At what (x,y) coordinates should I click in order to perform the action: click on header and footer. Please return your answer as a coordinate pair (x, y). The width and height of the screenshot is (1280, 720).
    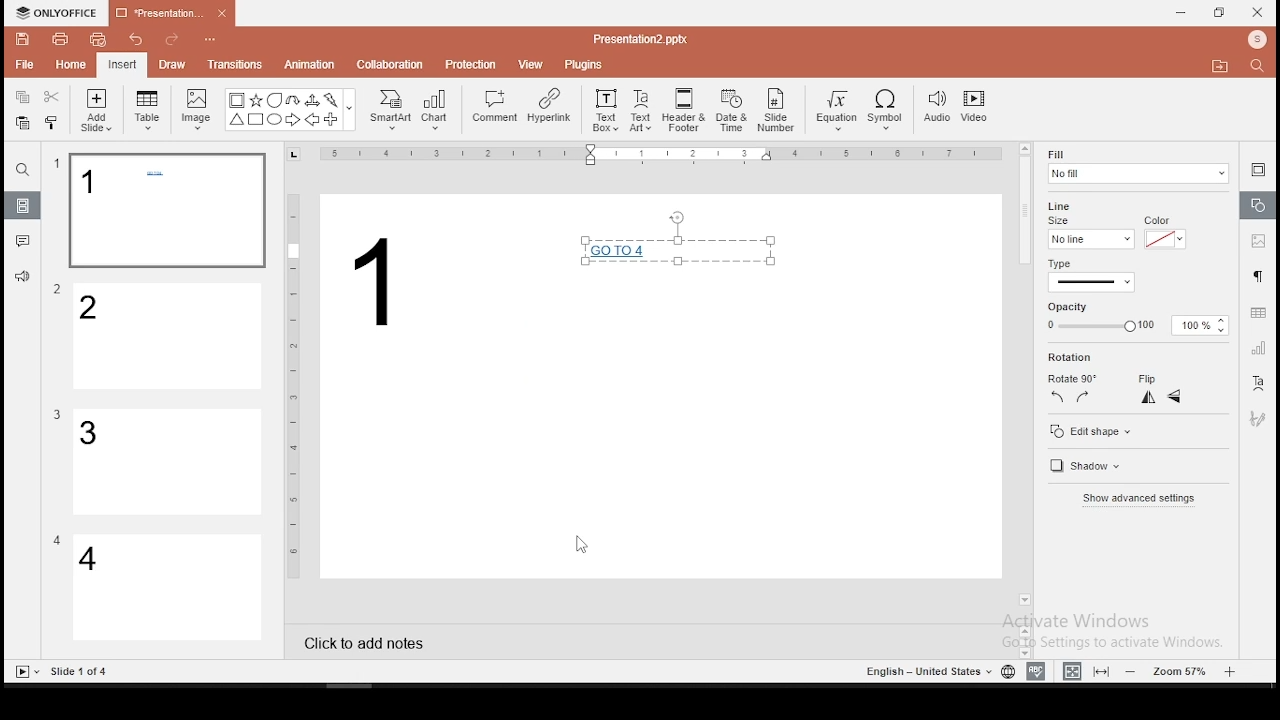
    Looking at the image, I should click on (686, 111).